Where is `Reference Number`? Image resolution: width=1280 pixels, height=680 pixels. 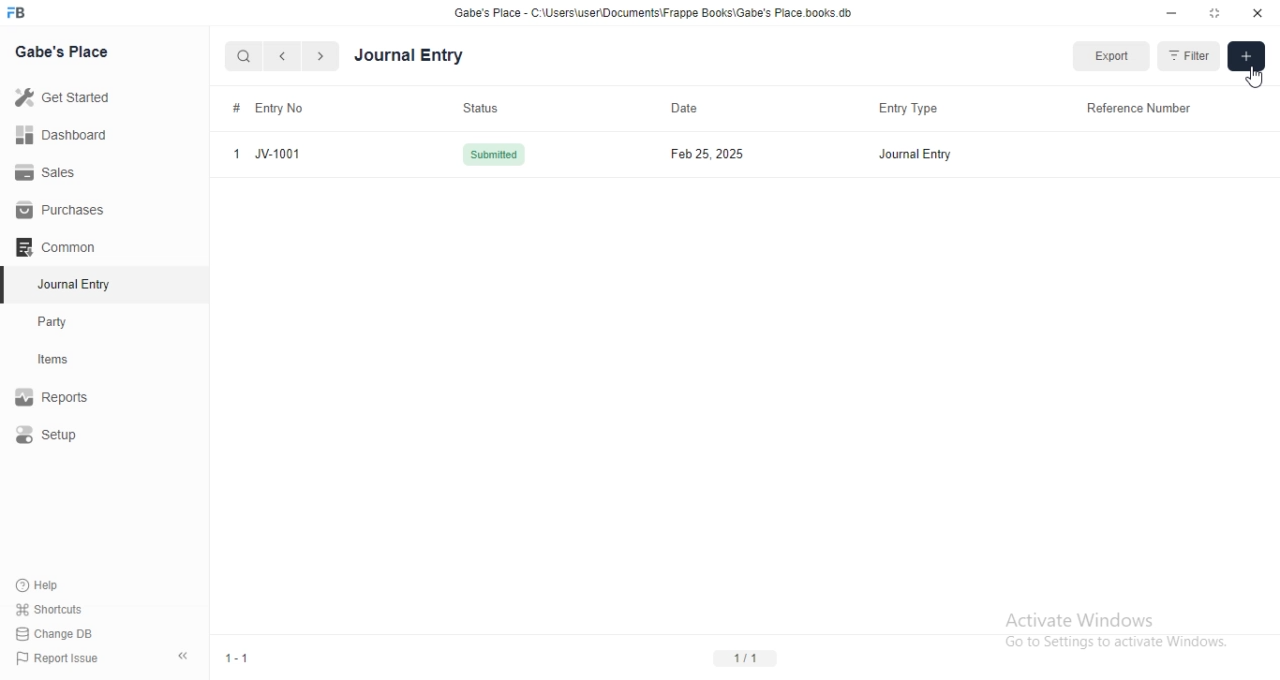
Reference Number is located at coordinates (1137, 107).